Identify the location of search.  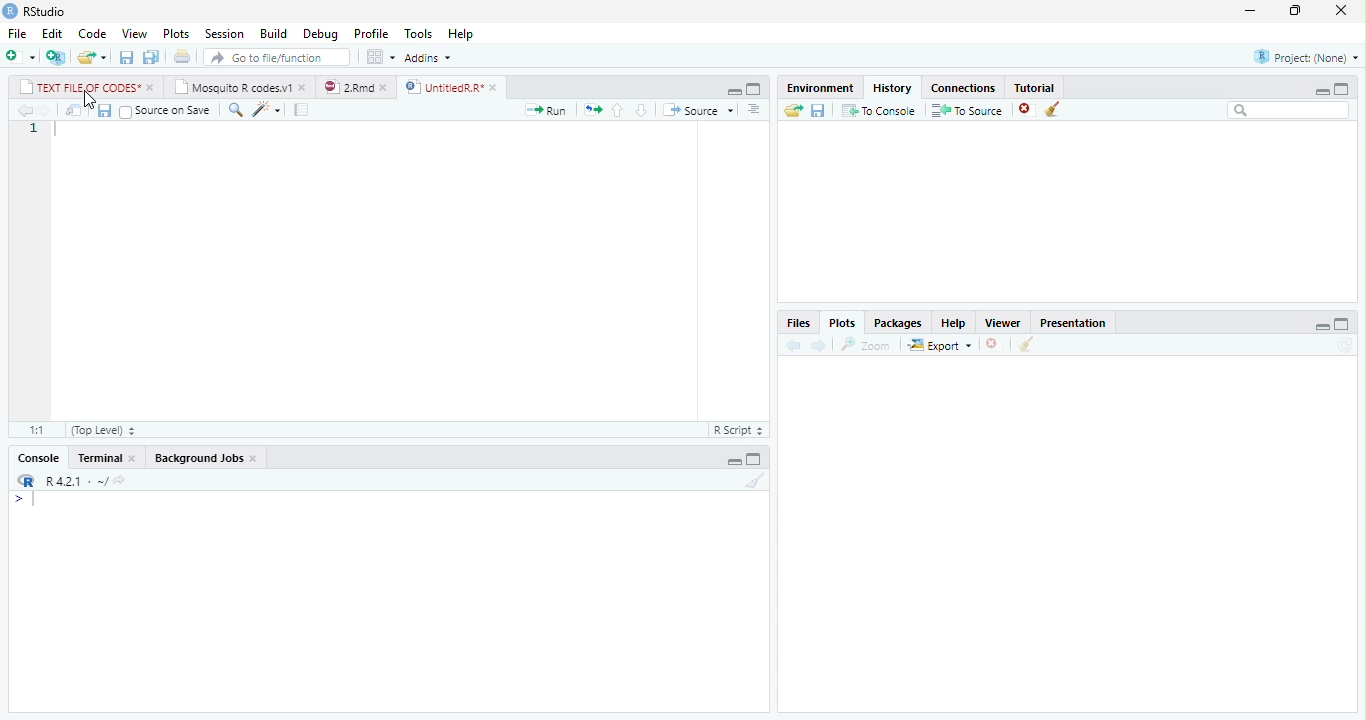
(236, 110).